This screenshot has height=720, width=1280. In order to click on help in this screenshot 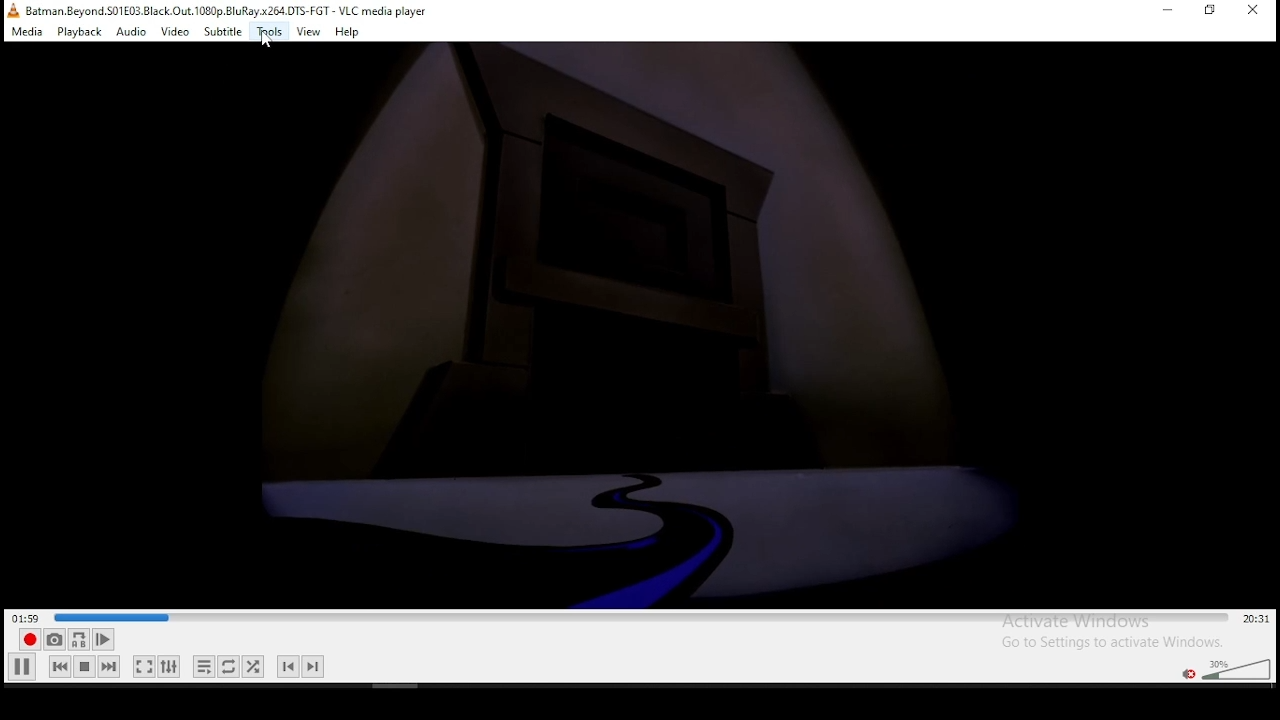, I will do `click(347, 32)`.